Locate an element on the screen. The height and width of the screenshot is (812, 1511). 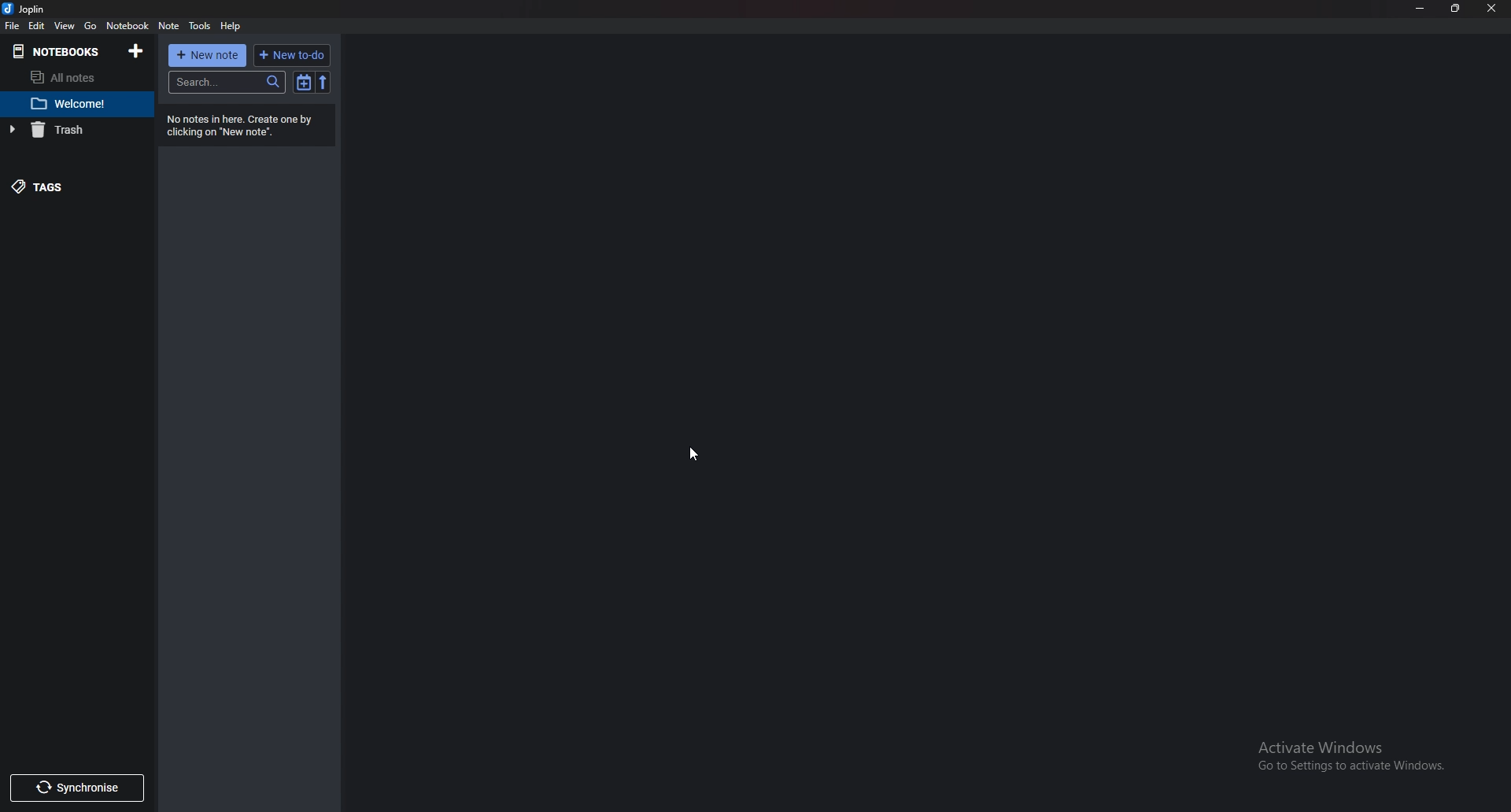
Go is located at coordinates (91, 26).